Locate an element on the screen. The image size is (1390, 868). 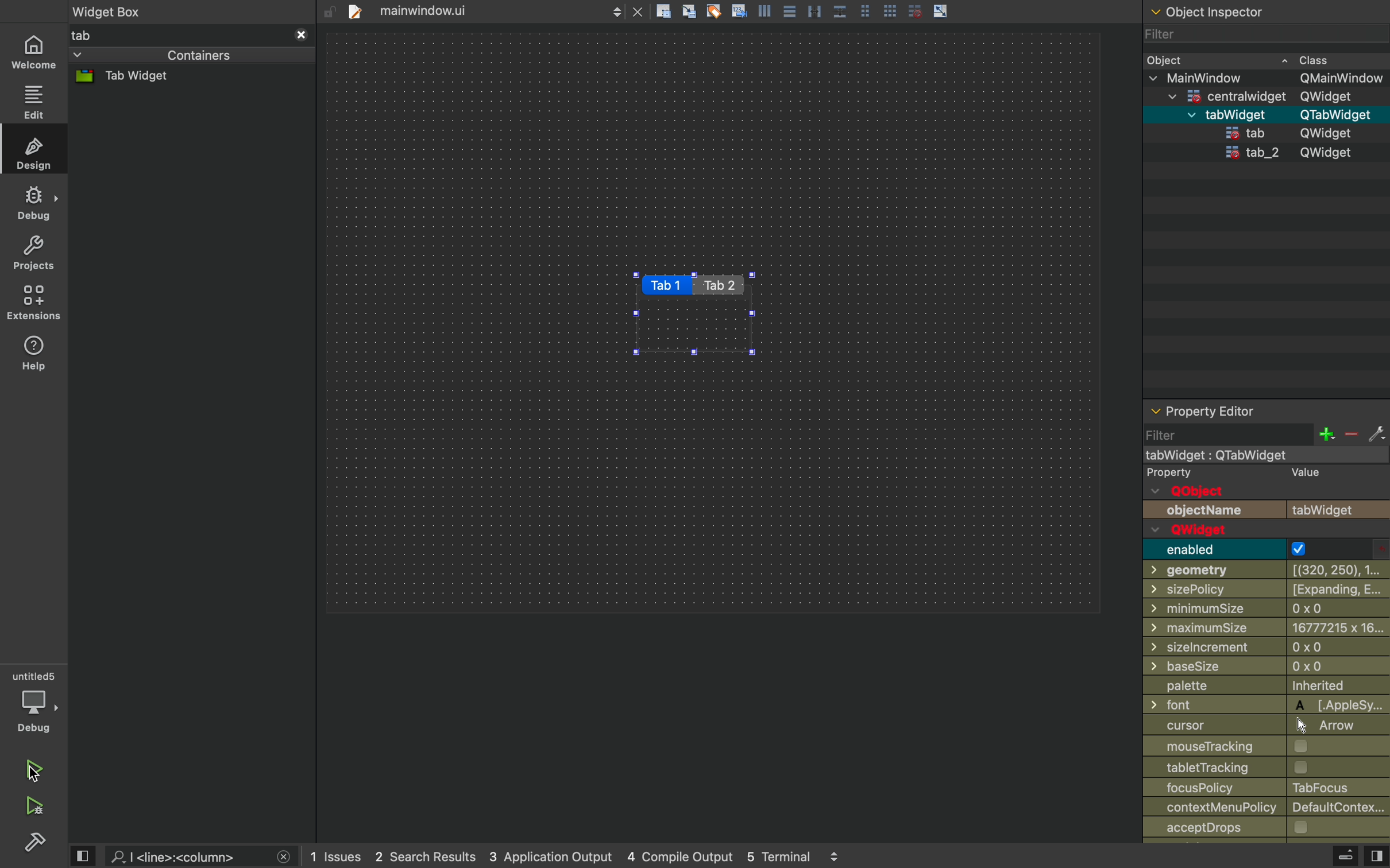
qobject is located at coordinates (1227, 491).